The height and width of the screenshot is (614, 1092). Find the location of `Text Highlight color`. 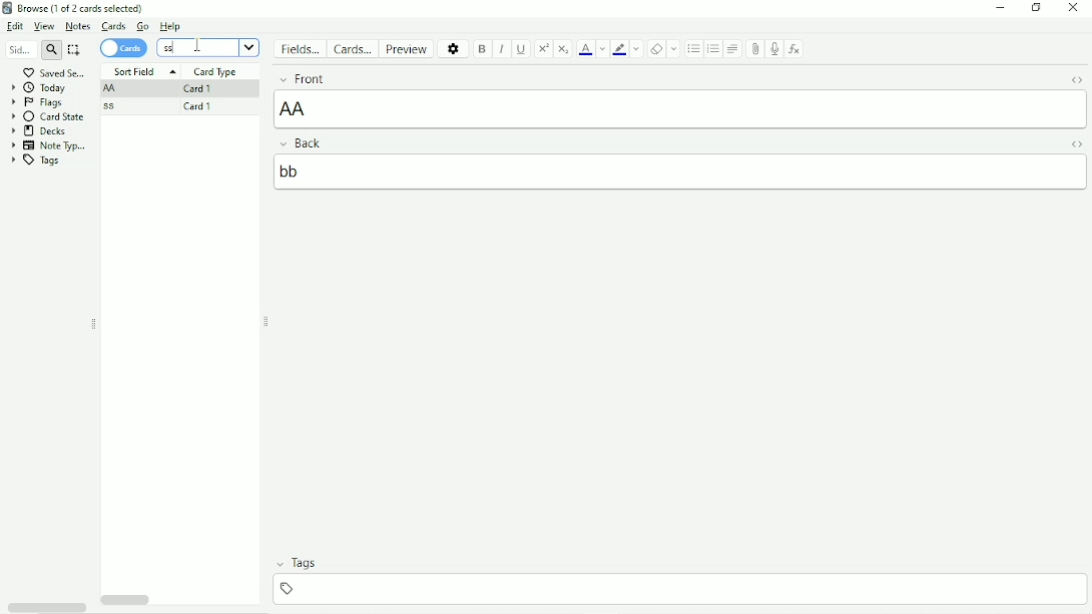

Text Highlight color is located at coordinates (620, 50).